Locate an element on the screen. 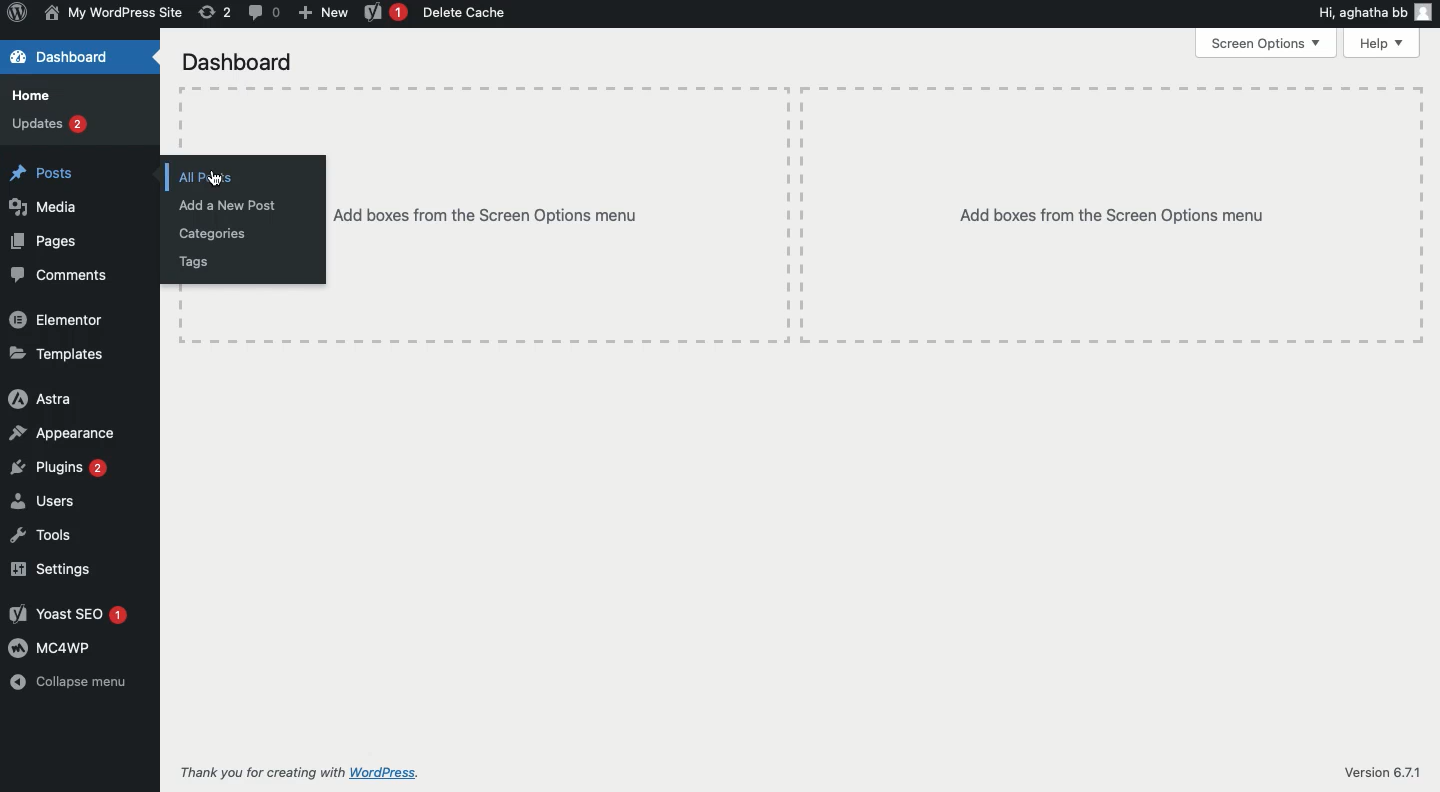  Name is located at coordinates (116, 14).